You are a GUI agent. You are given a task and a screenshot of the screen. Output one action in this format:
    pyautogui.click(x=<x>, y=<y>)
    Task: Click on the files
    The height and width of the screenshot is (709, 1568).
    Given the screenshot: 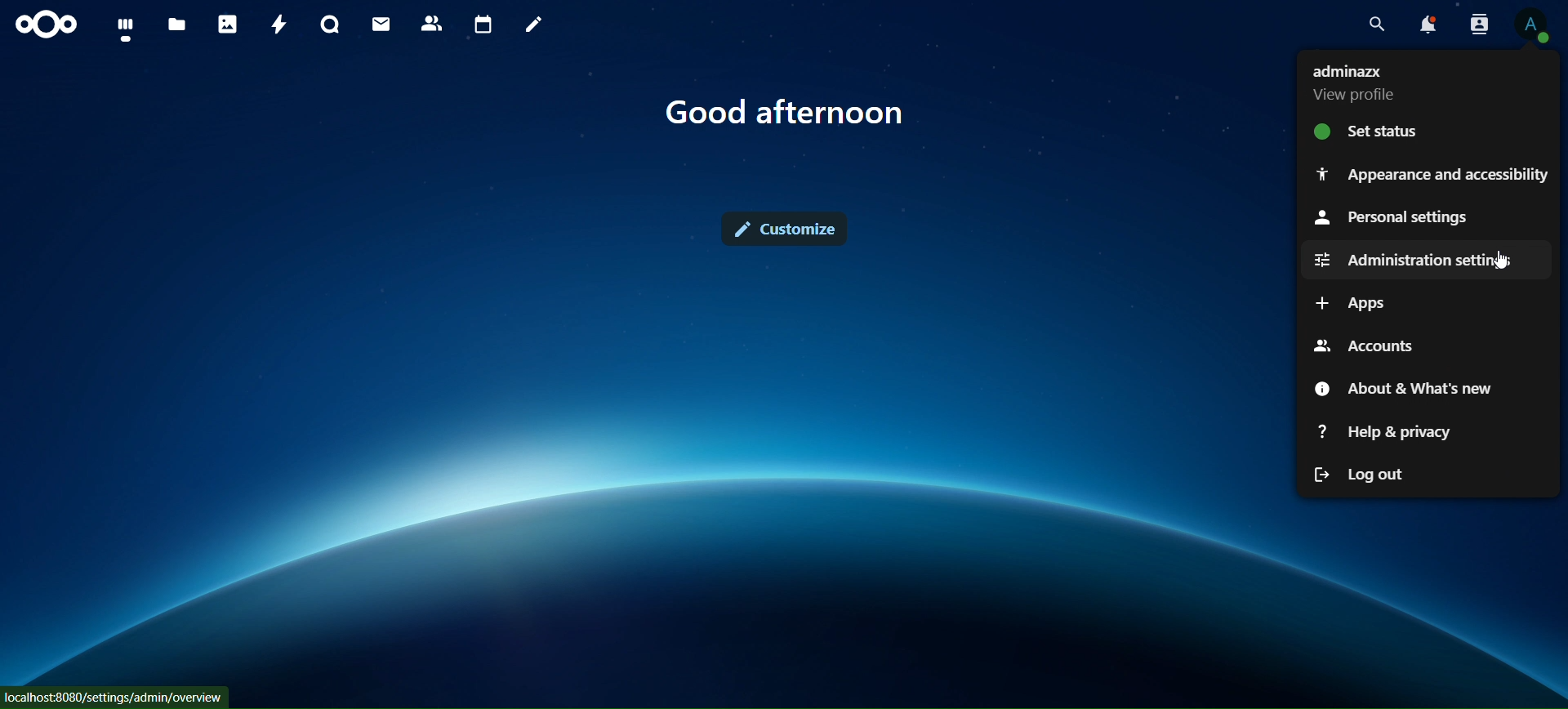 What is the action you would take?
    pyautogui.click(x=178, y=25)
    